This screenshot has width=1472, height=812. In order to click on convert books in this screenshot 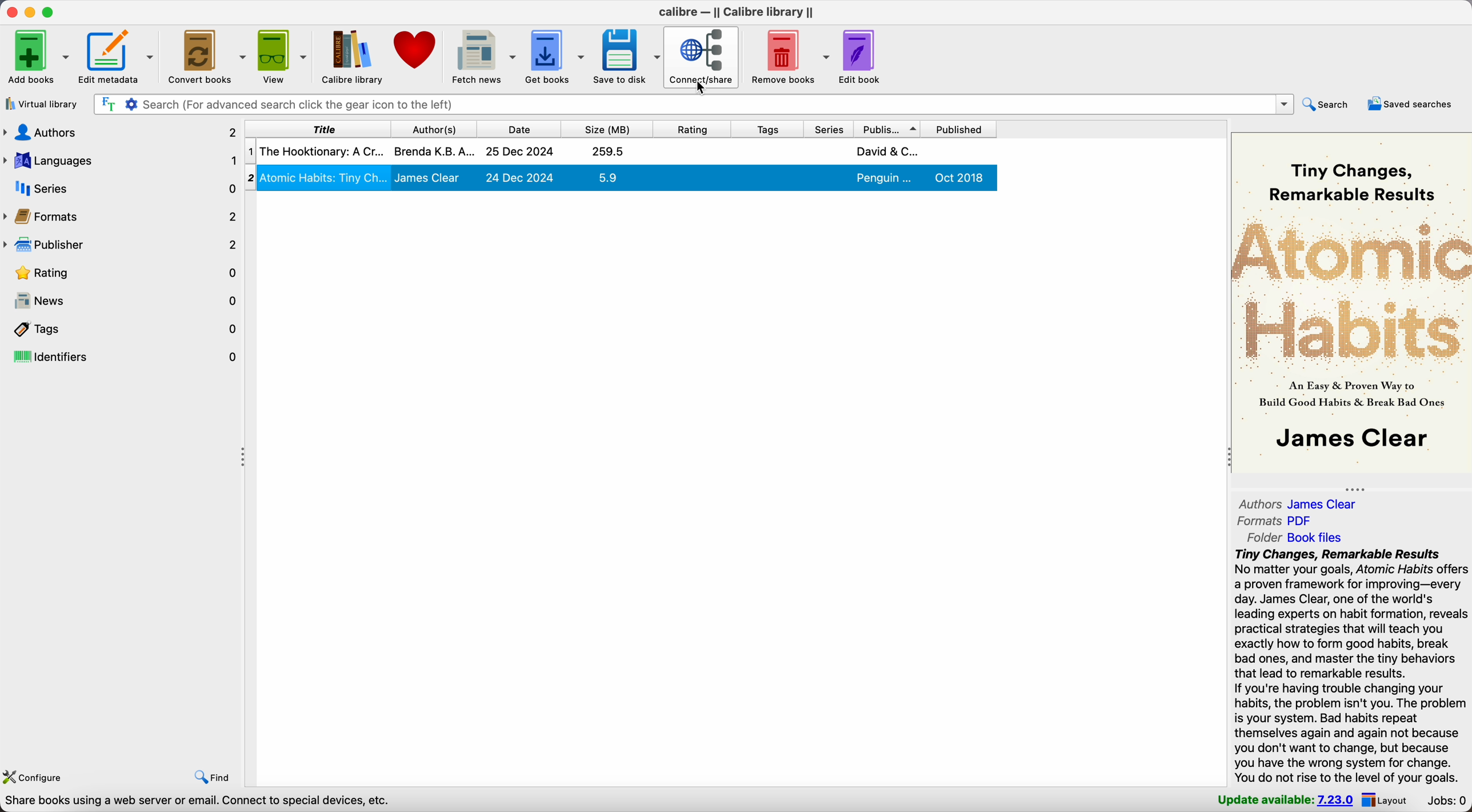, I will do `click(208, 57)`.